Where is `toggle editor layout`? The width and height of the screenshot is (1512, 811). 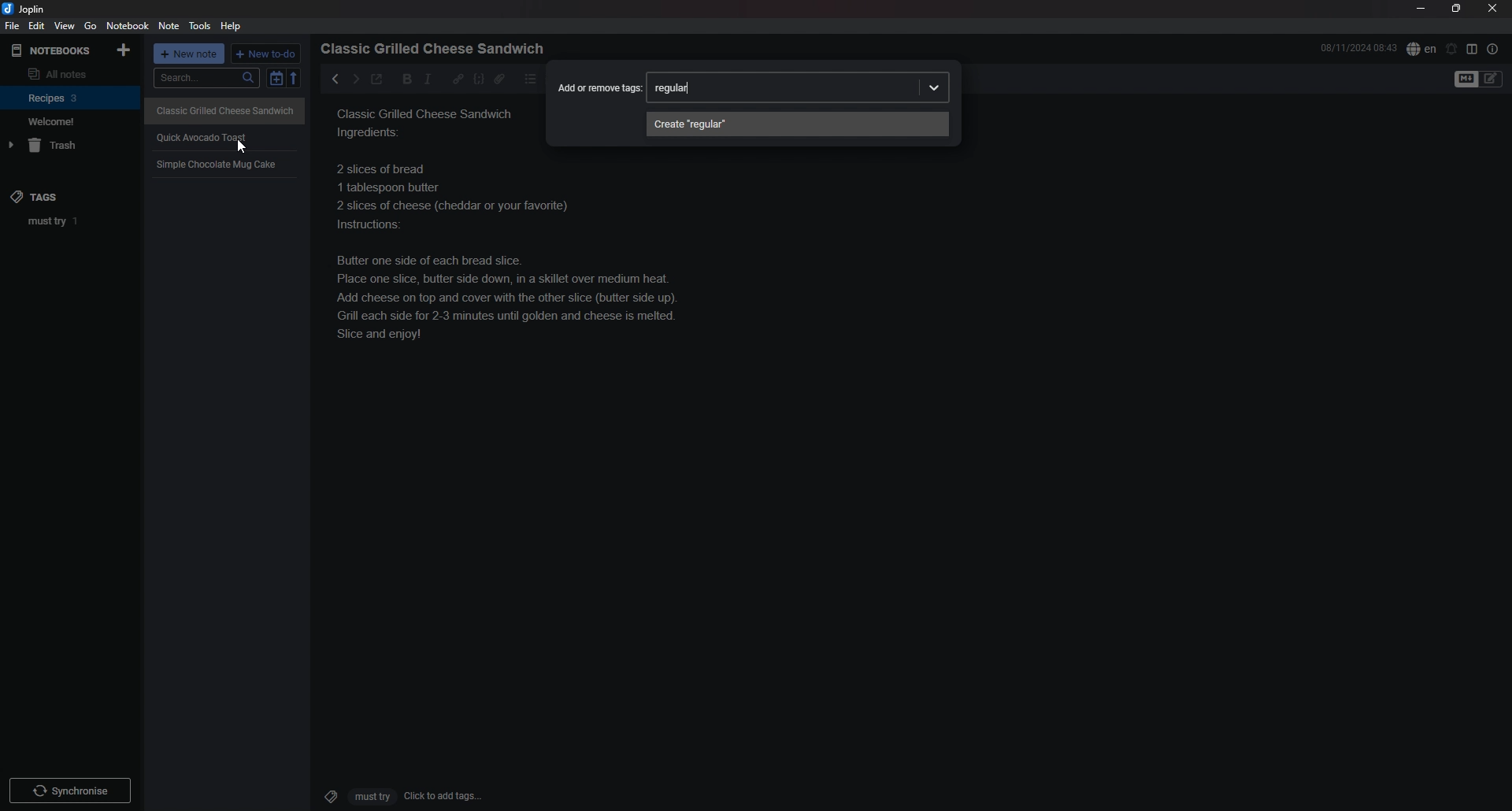
toggle editor layout is located at coordinates (1473, 49).